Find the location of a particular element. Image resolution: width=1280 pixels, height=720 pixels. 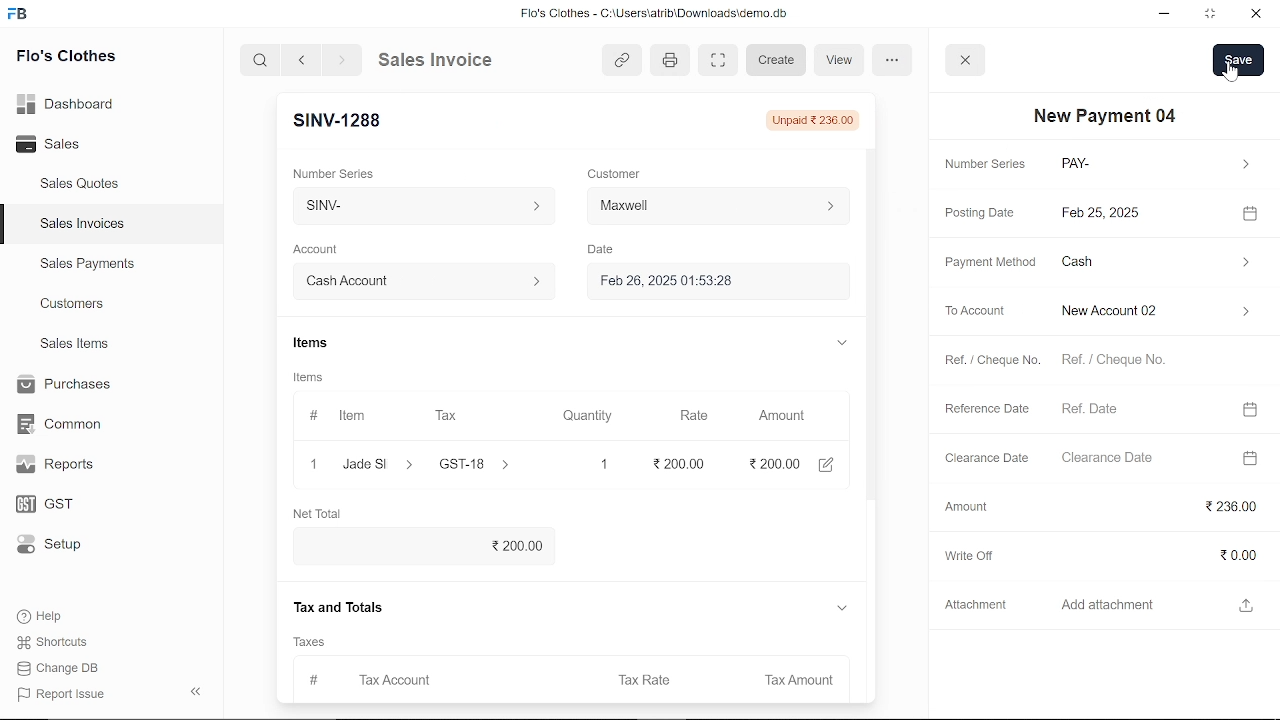

Flo's Clothes - C:\UsersatribiDownloads\demo.do is located at coordinates (662, 15).